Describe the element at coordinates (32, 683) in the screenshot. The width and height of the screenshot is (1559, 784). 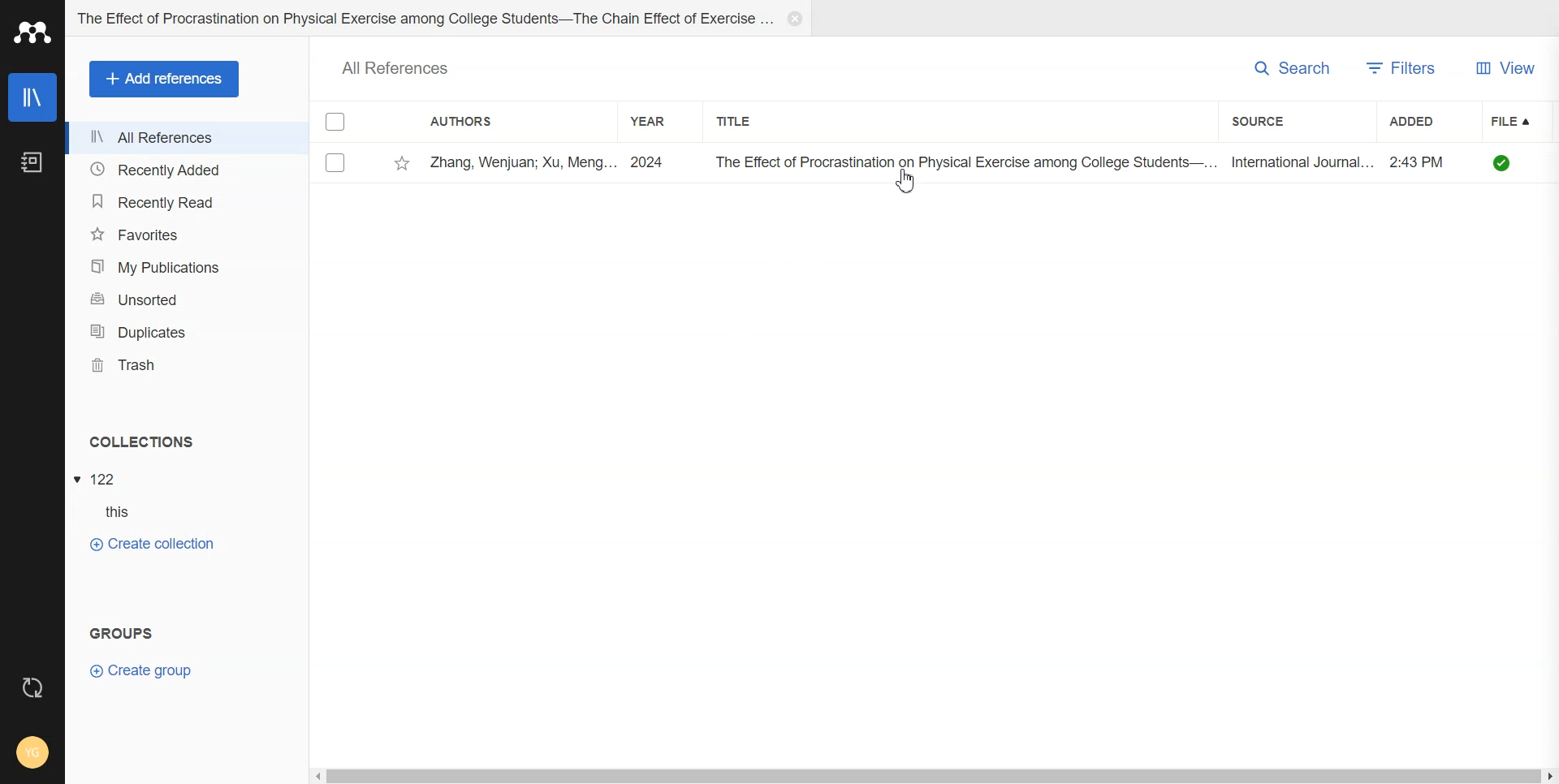
I see `Auto Sync` at that location.